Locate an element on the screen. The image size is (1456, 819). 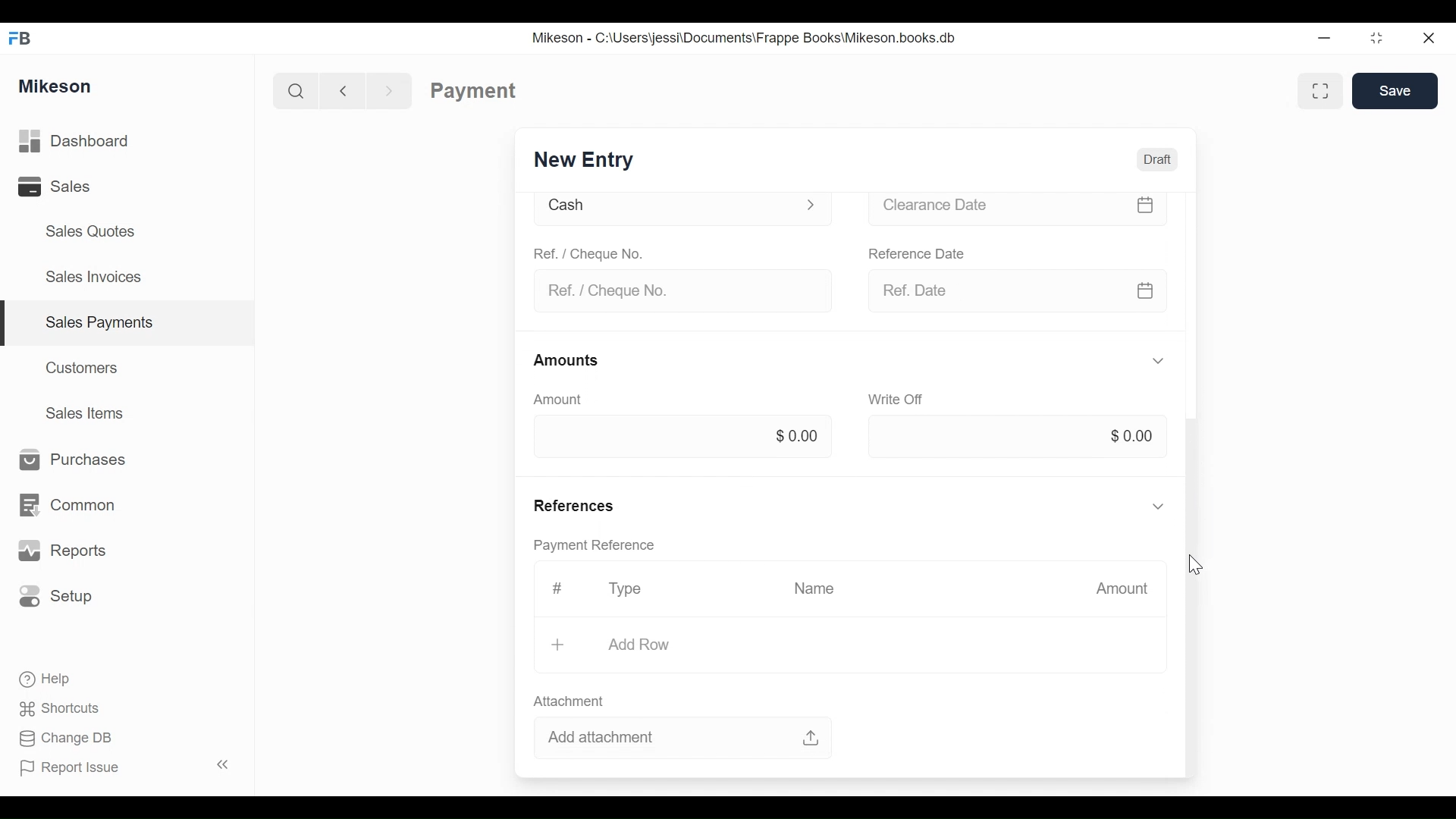
New Entry is located at coordinates (583, 158).